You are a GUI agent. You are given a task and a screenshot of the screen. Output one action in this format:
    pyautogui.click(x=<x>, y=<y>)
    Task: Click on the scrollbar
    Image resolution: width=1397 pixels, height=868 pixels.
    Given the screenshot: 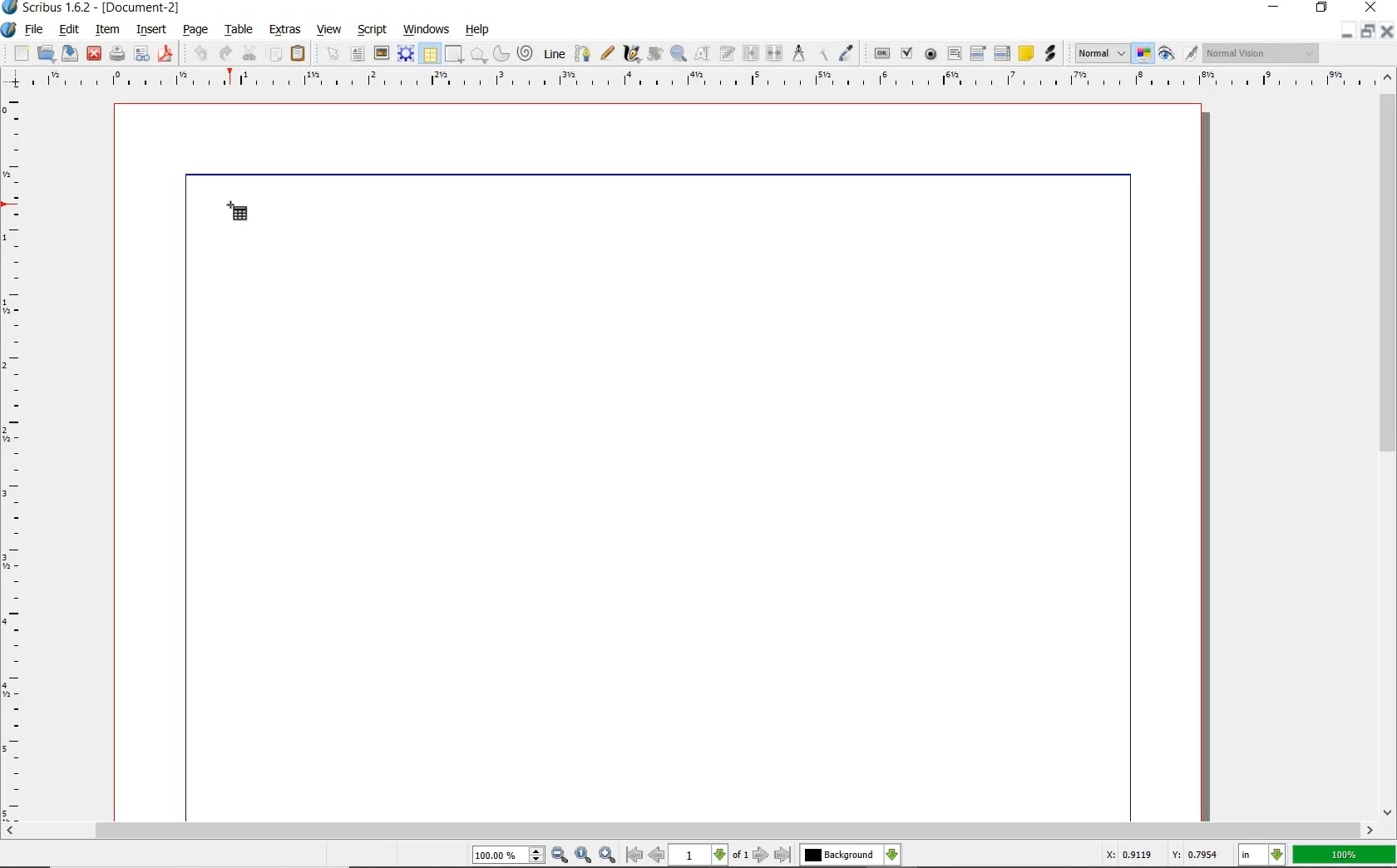 What is the action you would take?
    pyautogui.click(x=1385, y=455)
    